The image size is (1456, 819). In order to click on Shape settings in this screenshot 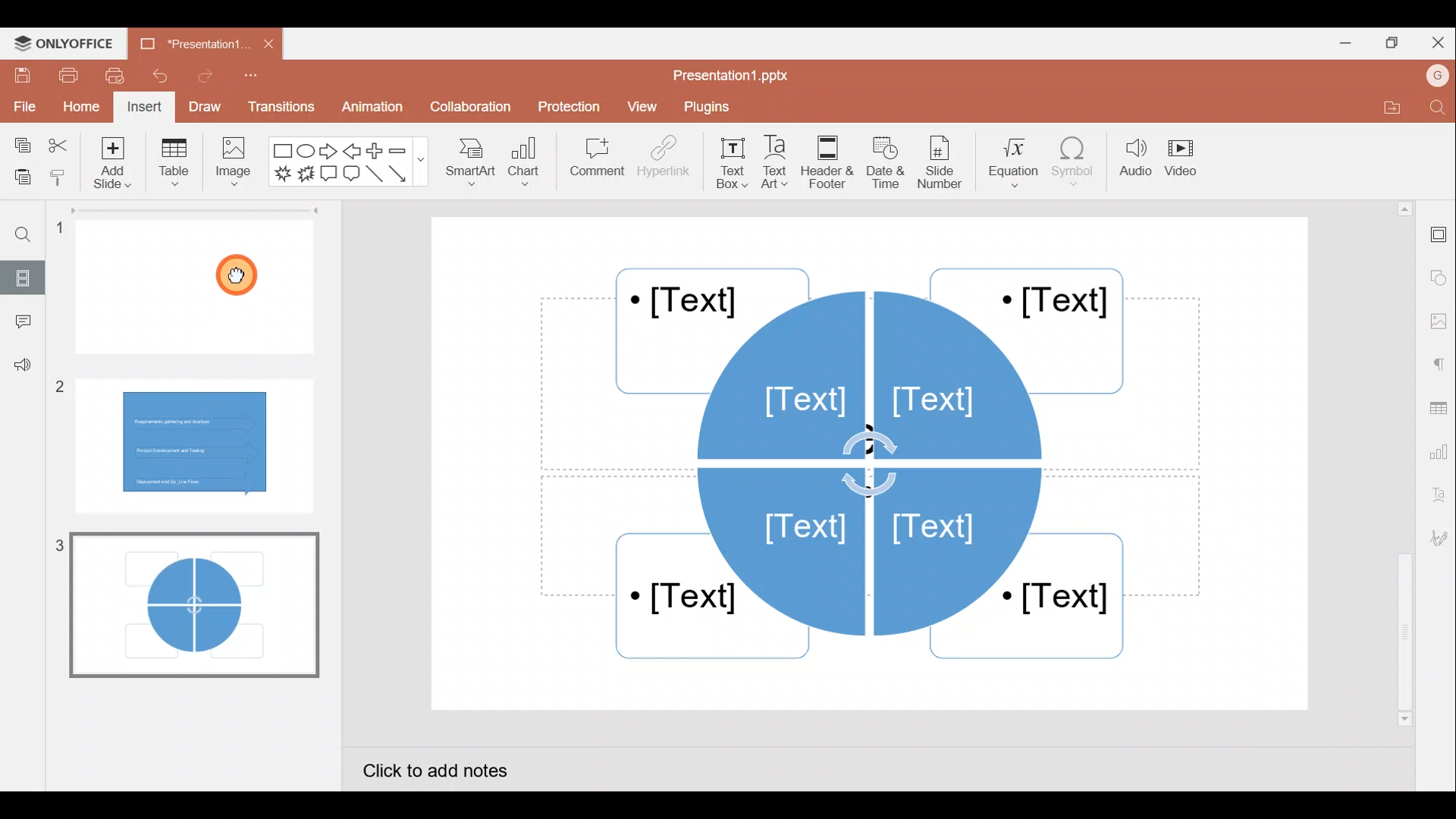, I will do `click(1439, 272)`.